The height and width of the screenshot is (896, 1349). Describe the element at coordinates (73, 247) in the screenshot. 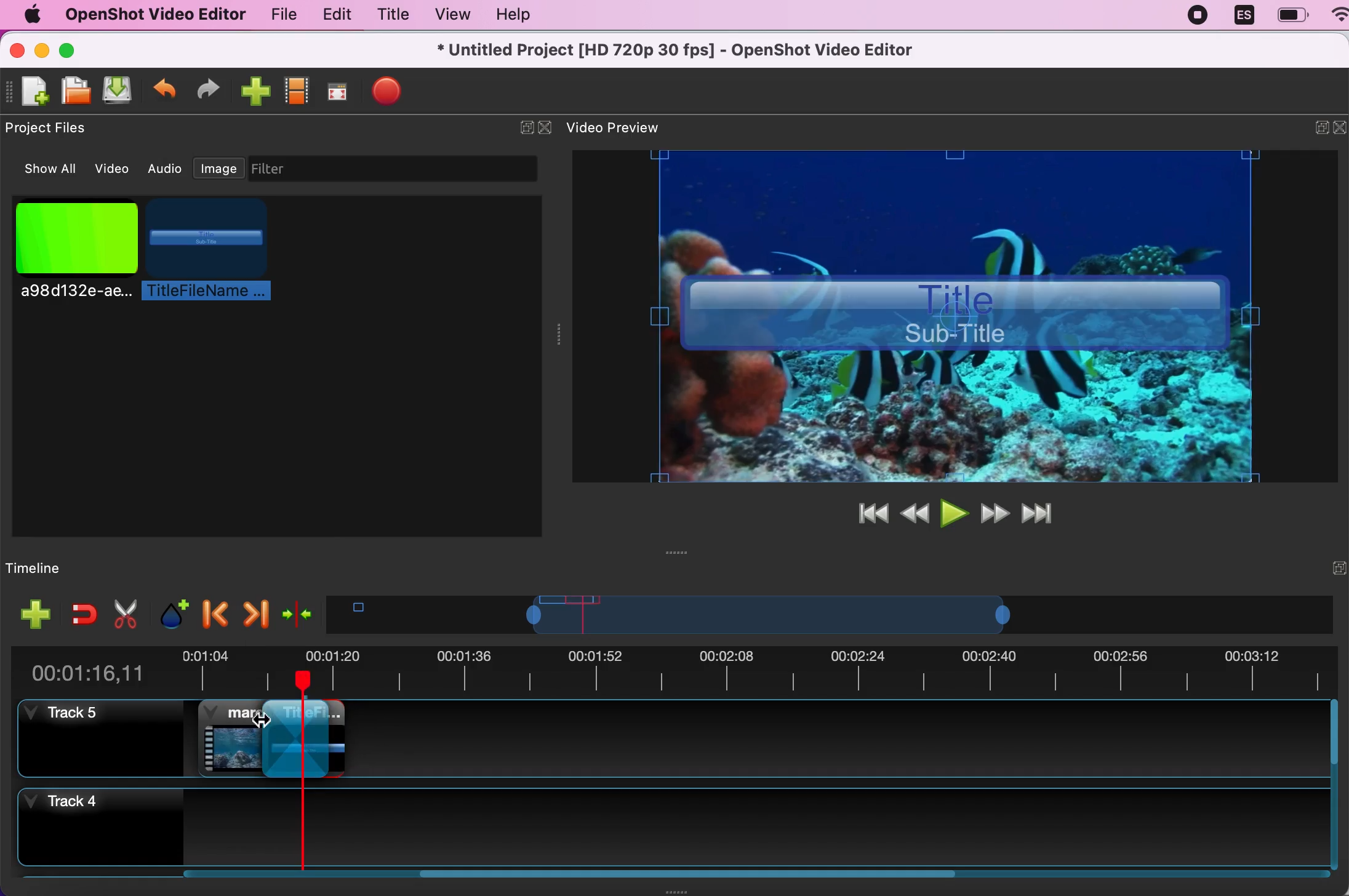

I see `picture` at that location.